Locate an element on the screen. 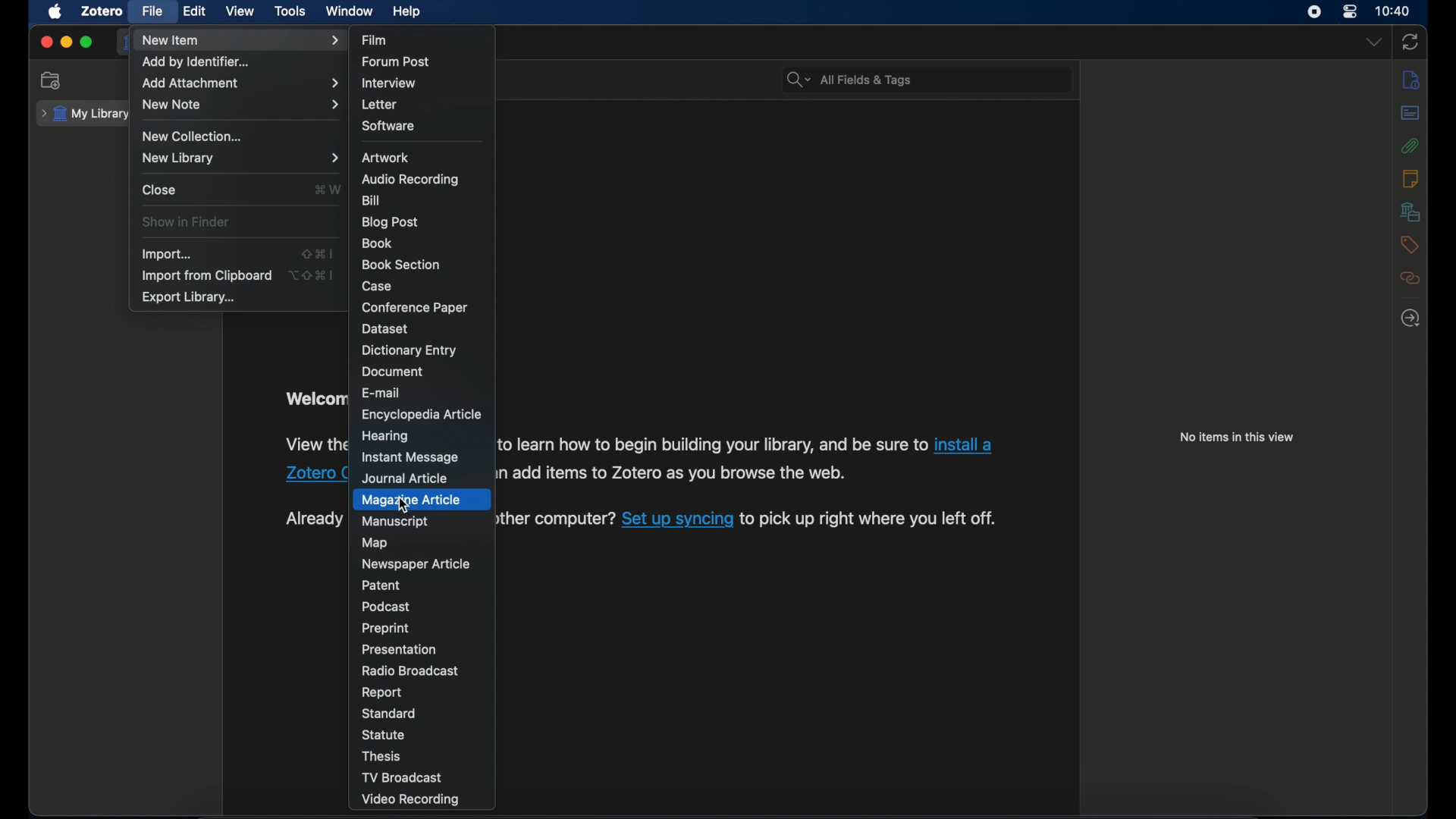 Image resolution: width=1456 pixels, height=819 pixels. import is located at coordinates (168, 254).